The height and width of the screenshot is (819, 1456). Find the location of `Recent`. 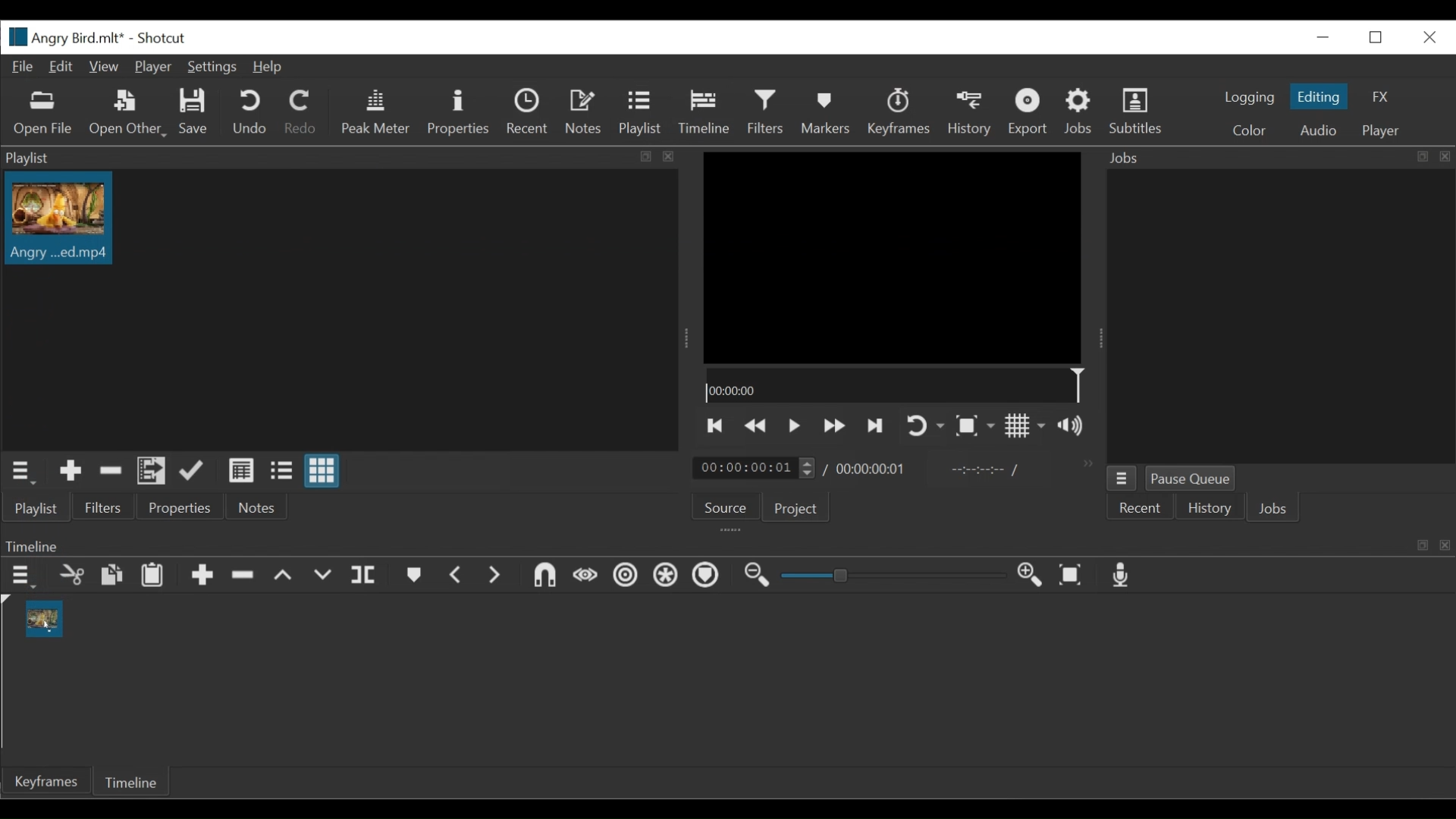

Recent is located at coordinates (529, 112).